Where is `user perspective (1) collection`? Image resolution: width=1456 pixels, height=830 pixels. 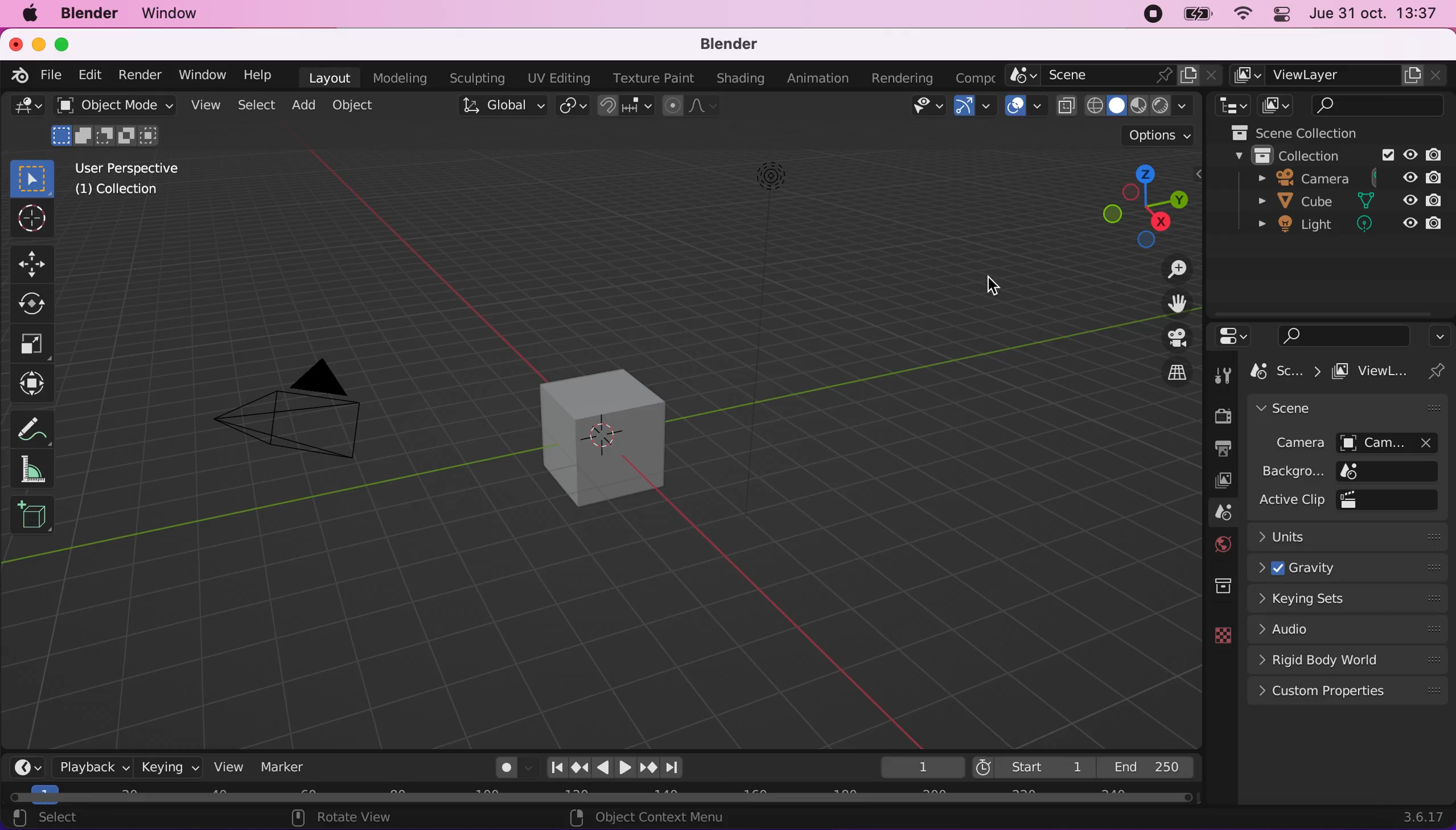
user perspective (1) collection is located at coordinates (137, 180).